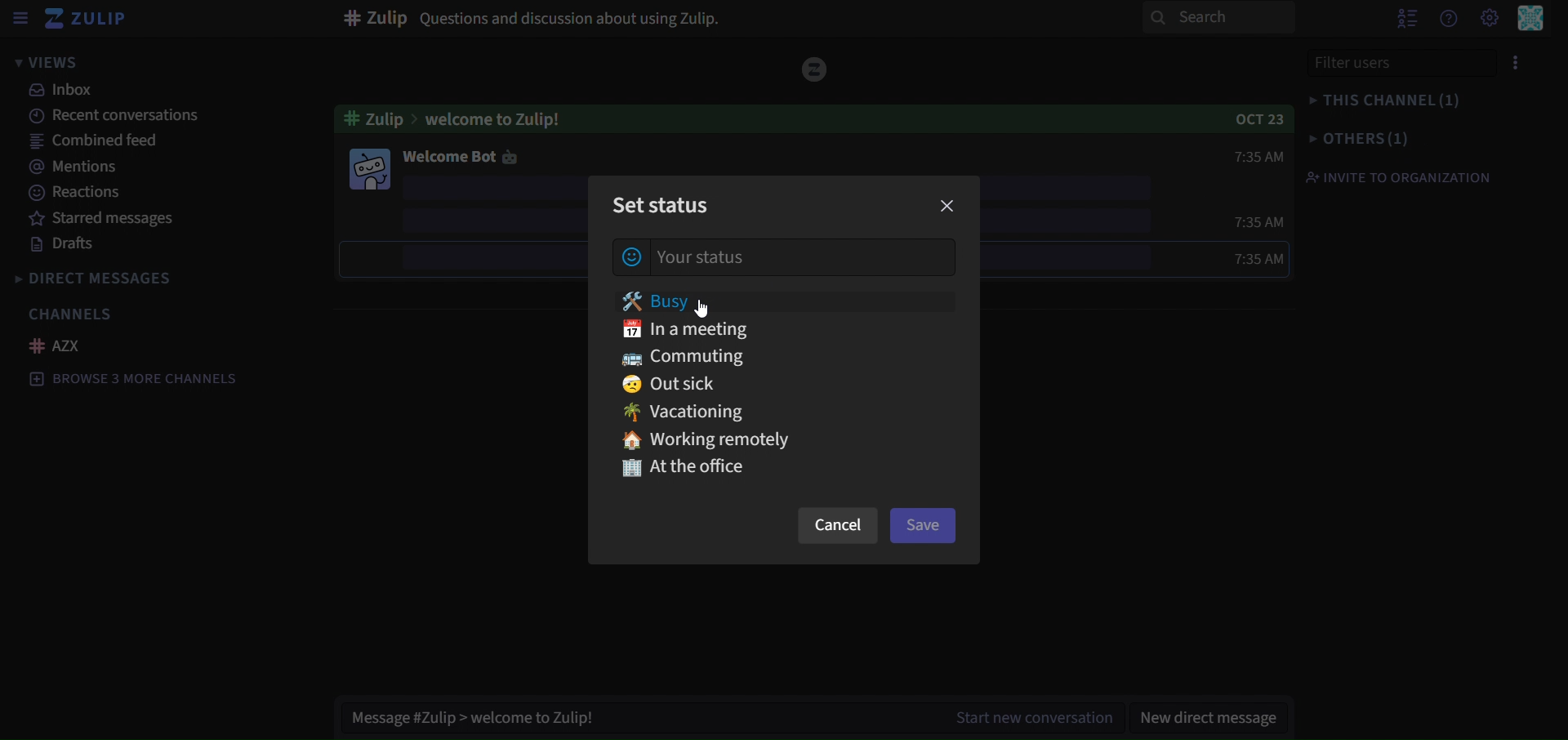 The width and height of the screenshot is (1568, 740). What do you see at coordinates (367, 168) in the screenshot?
I see `image` at bounding box center [367, 168].